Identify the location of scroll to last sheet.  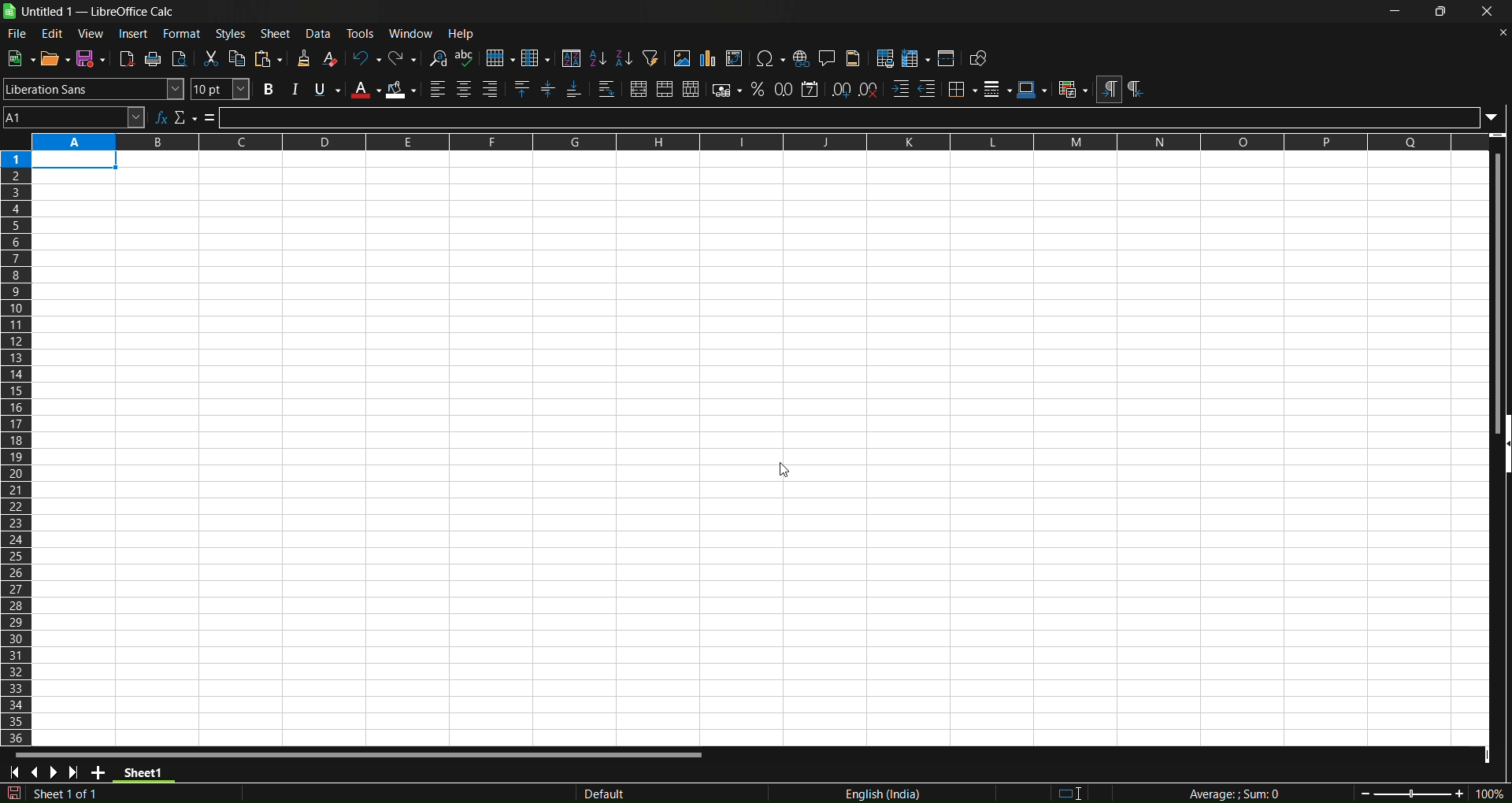
(77, 772).